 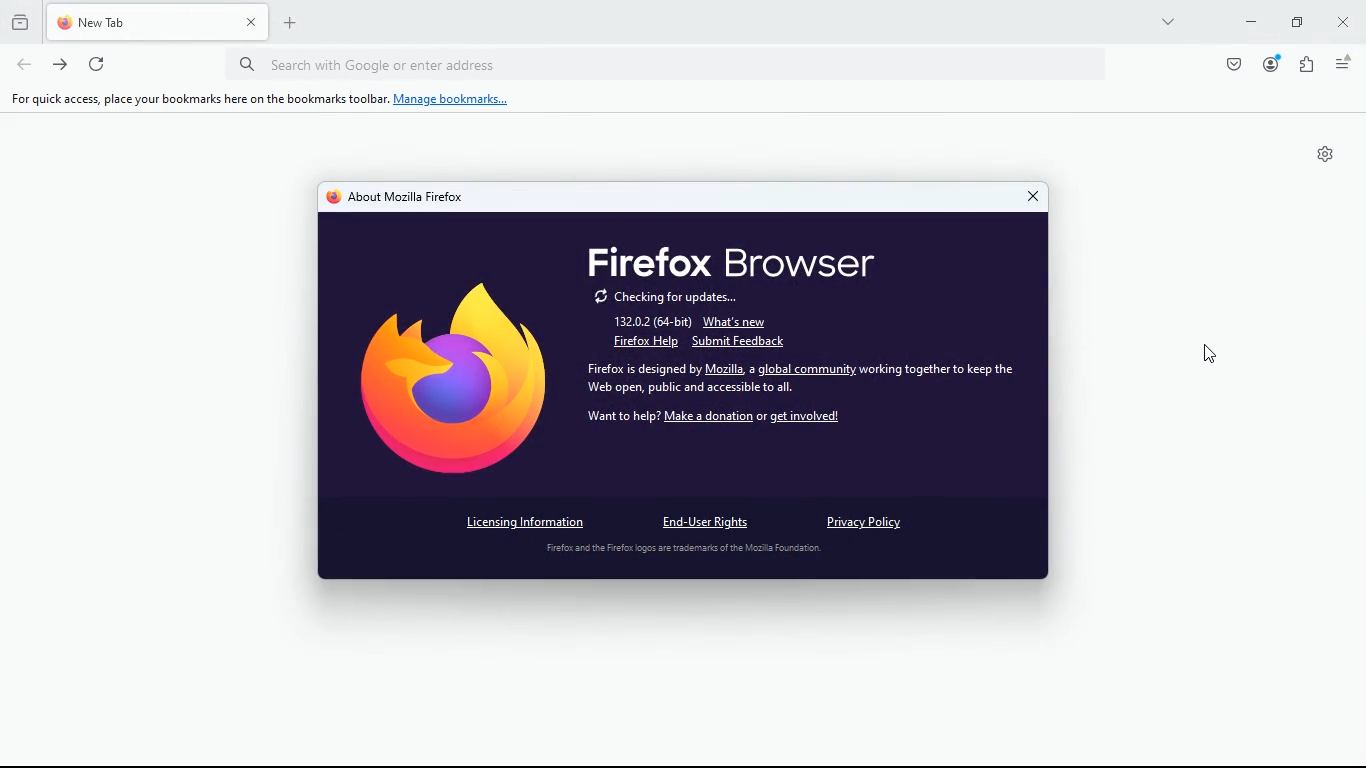 I want to click on disclaimer, so click(x=684, y=549).